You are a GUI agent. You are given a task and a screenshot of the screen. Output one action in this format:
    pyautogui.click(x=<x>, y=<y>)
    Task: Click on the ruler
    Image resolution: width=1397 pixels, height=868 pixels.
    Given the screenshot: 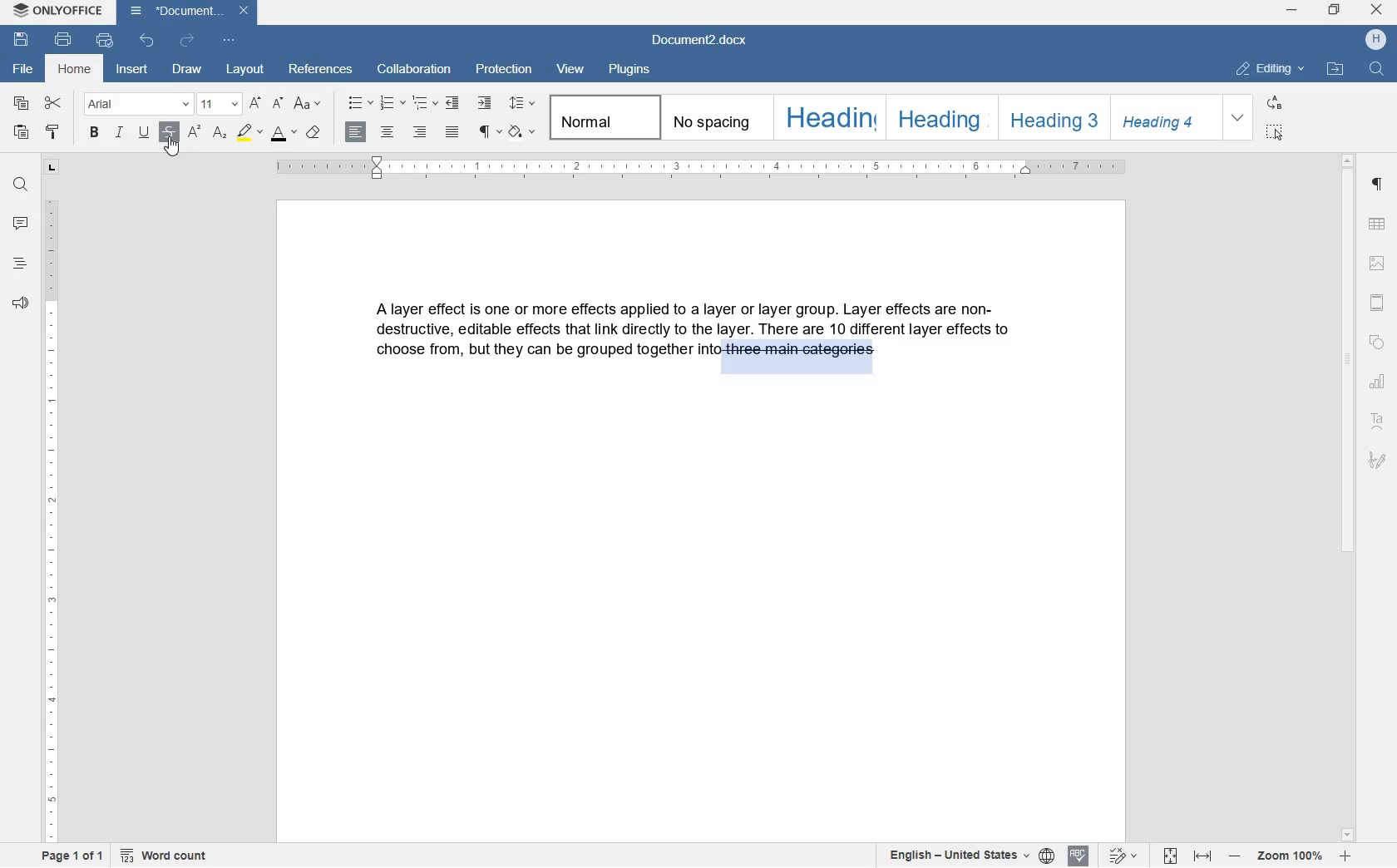 What is the action you would take?
    pyautogui.click(x=52, y=520)
    